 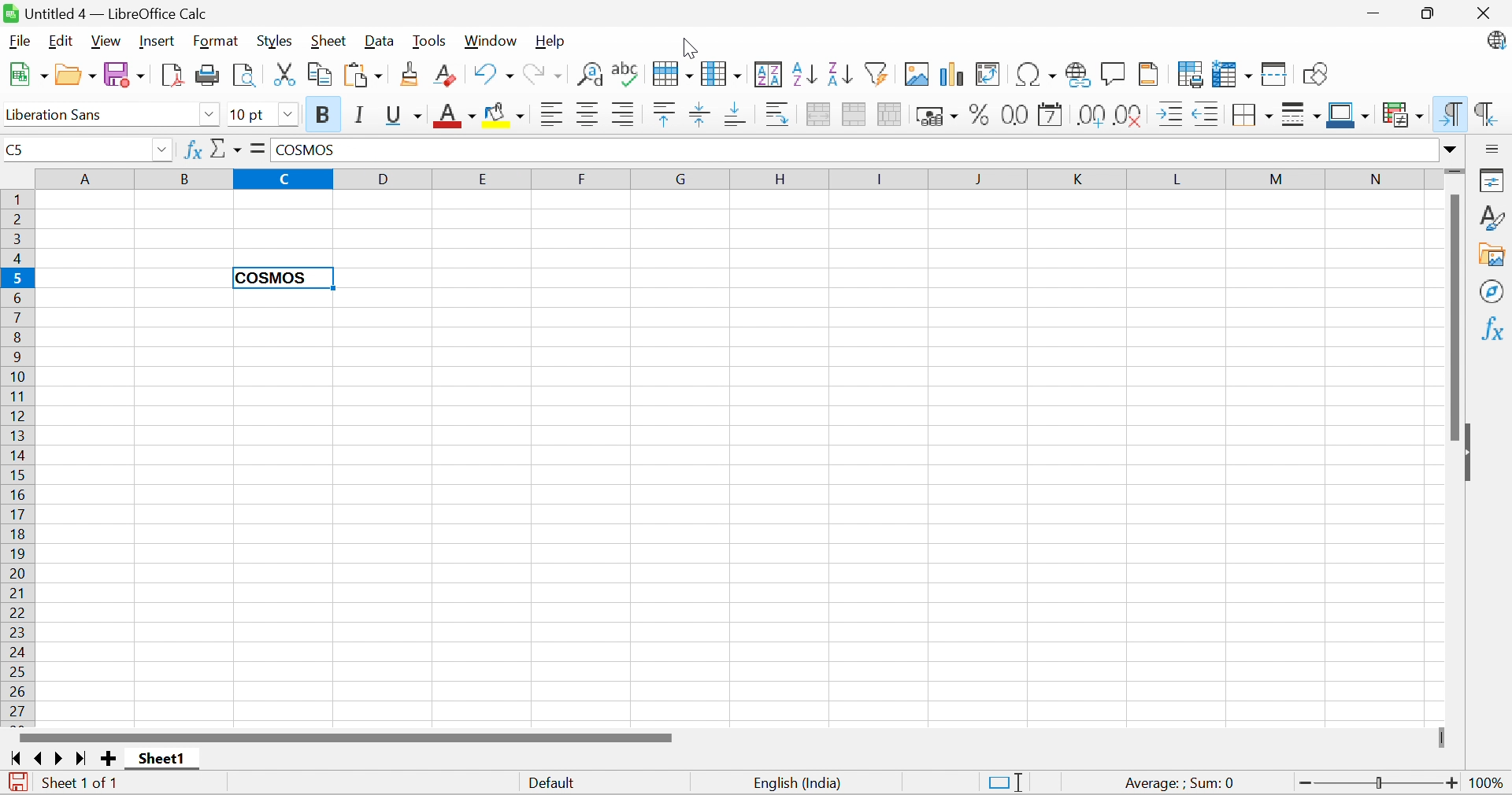 I want to click on Zoom Out, so click(x=1303, y=783).